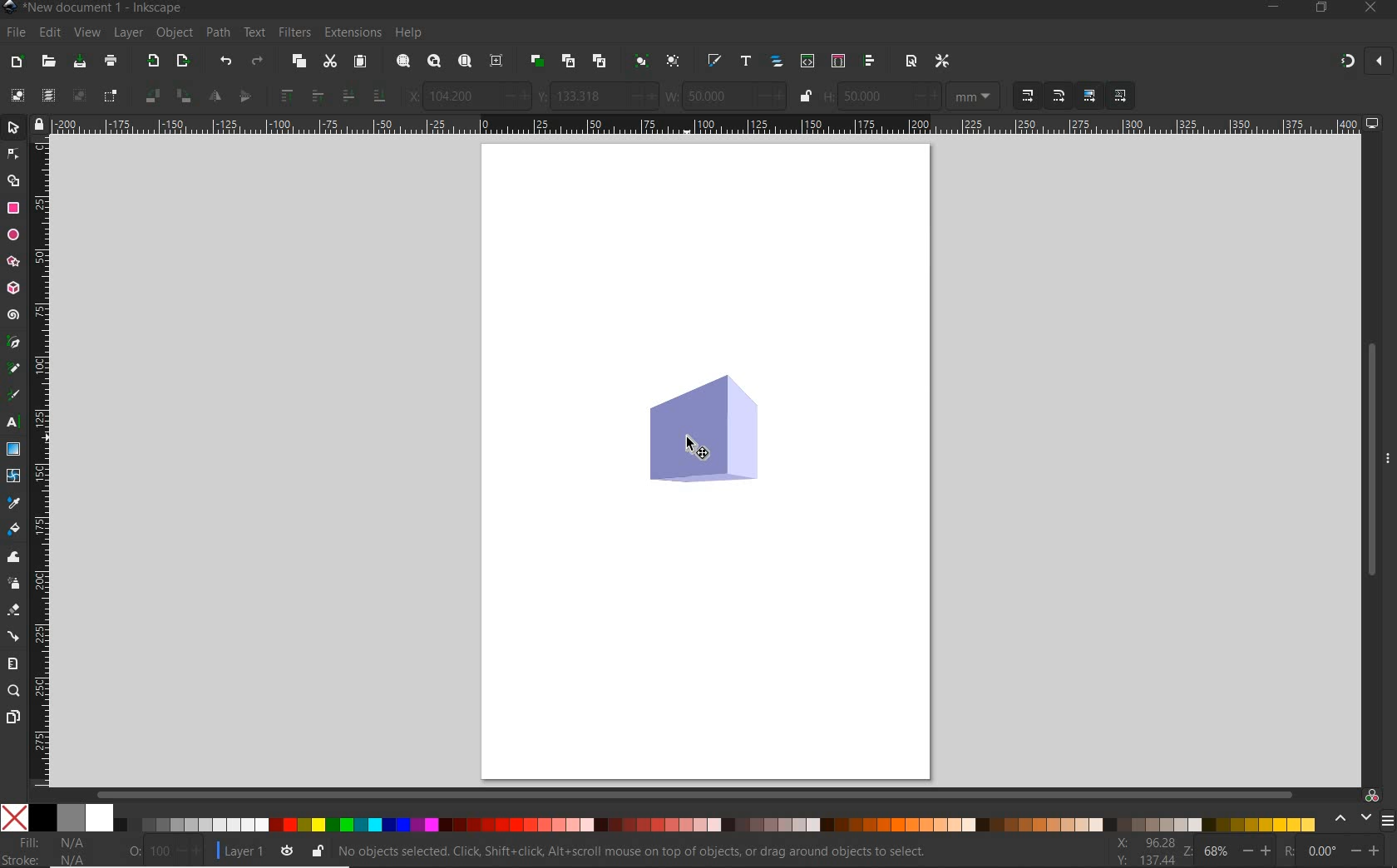  What do you see at coordinates (1218, 853) in the screenshot?
I see `68` at bounding box center [1218, 853].